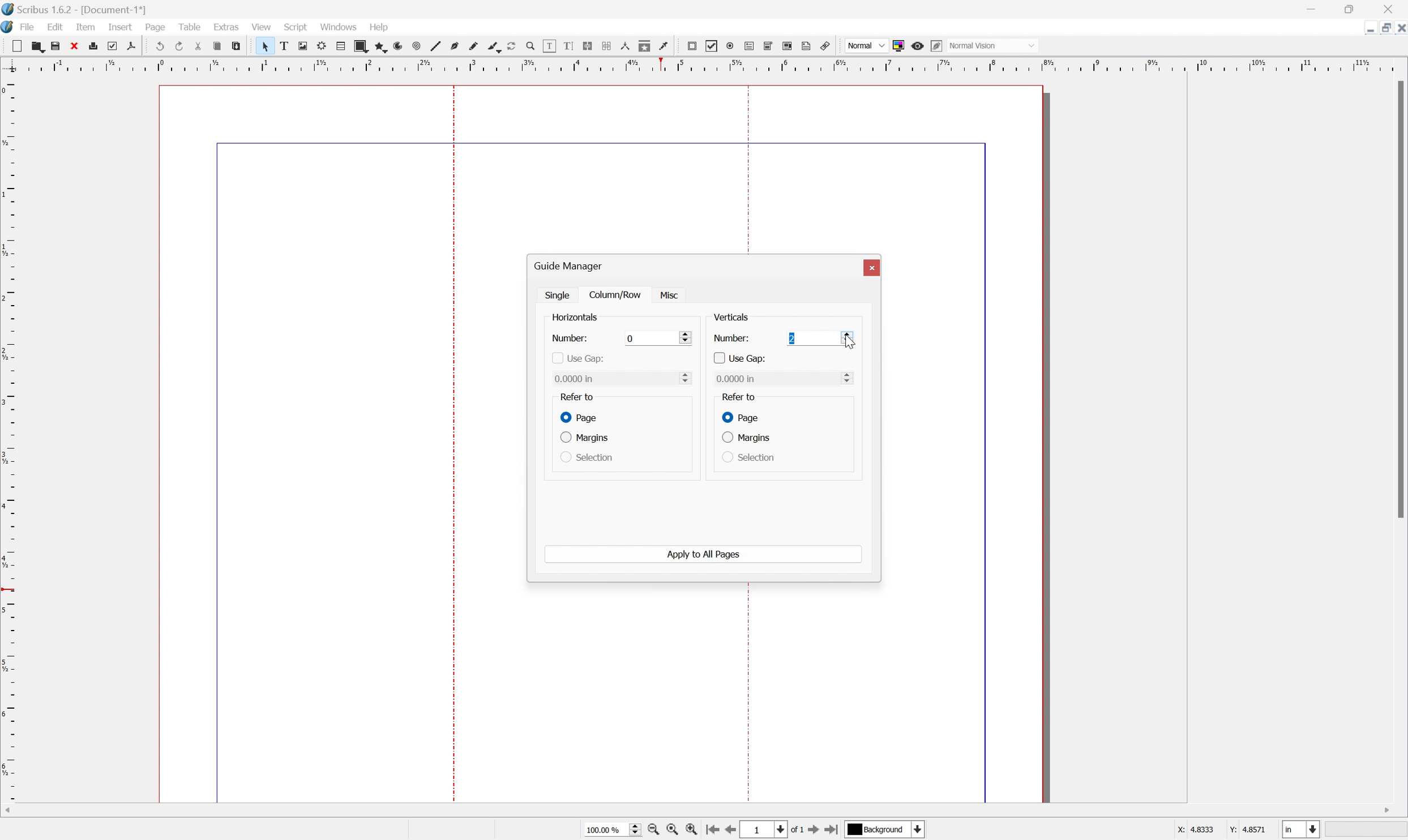  What do you see at coordinates (898, 46) in the screenshot?
I see `toggle color management system` at bounding box center [898, 46].